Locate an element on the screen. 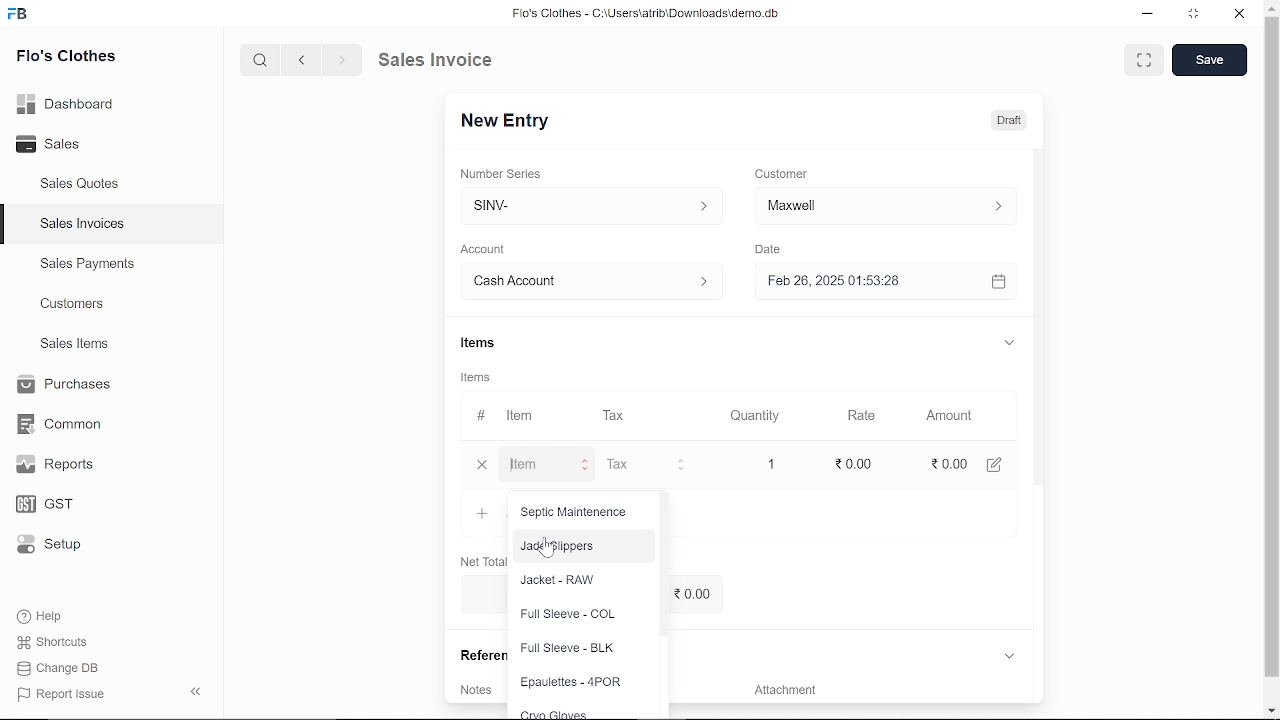  Tax is located at coordinates (626, 416).